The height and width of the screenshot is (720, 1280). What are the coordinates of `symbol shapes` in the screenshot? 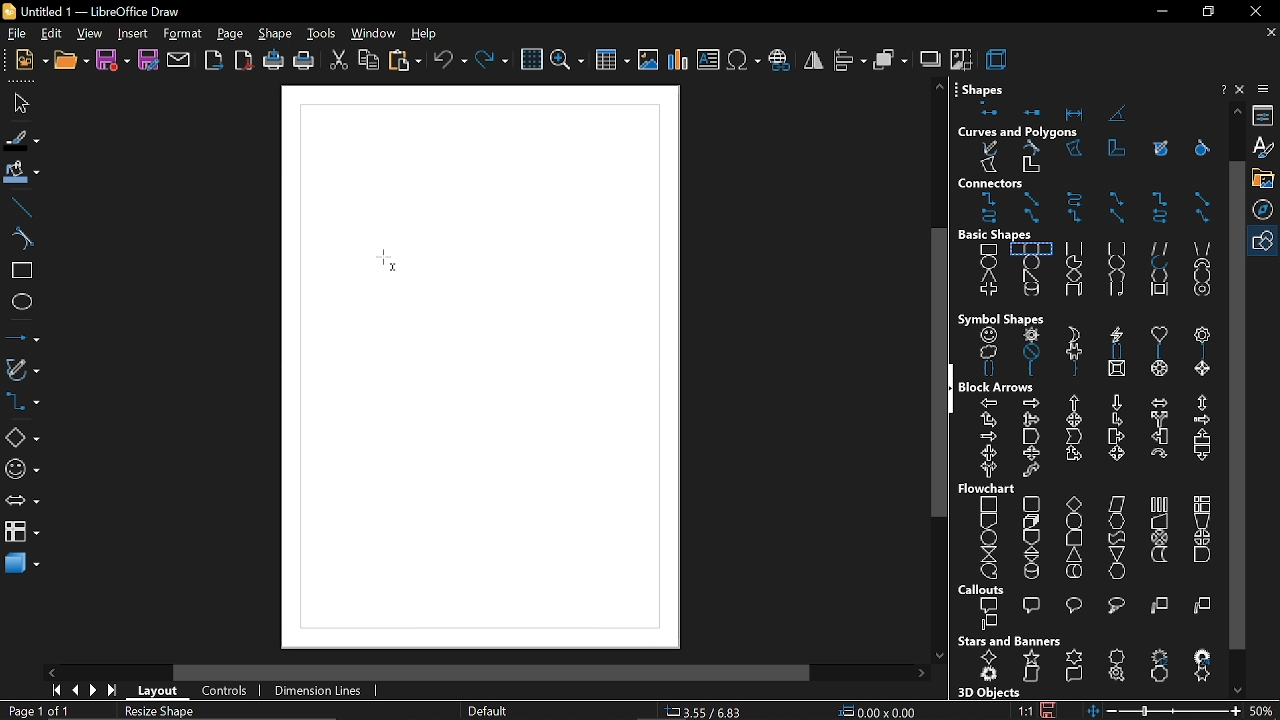 It's located at (1094, 353).